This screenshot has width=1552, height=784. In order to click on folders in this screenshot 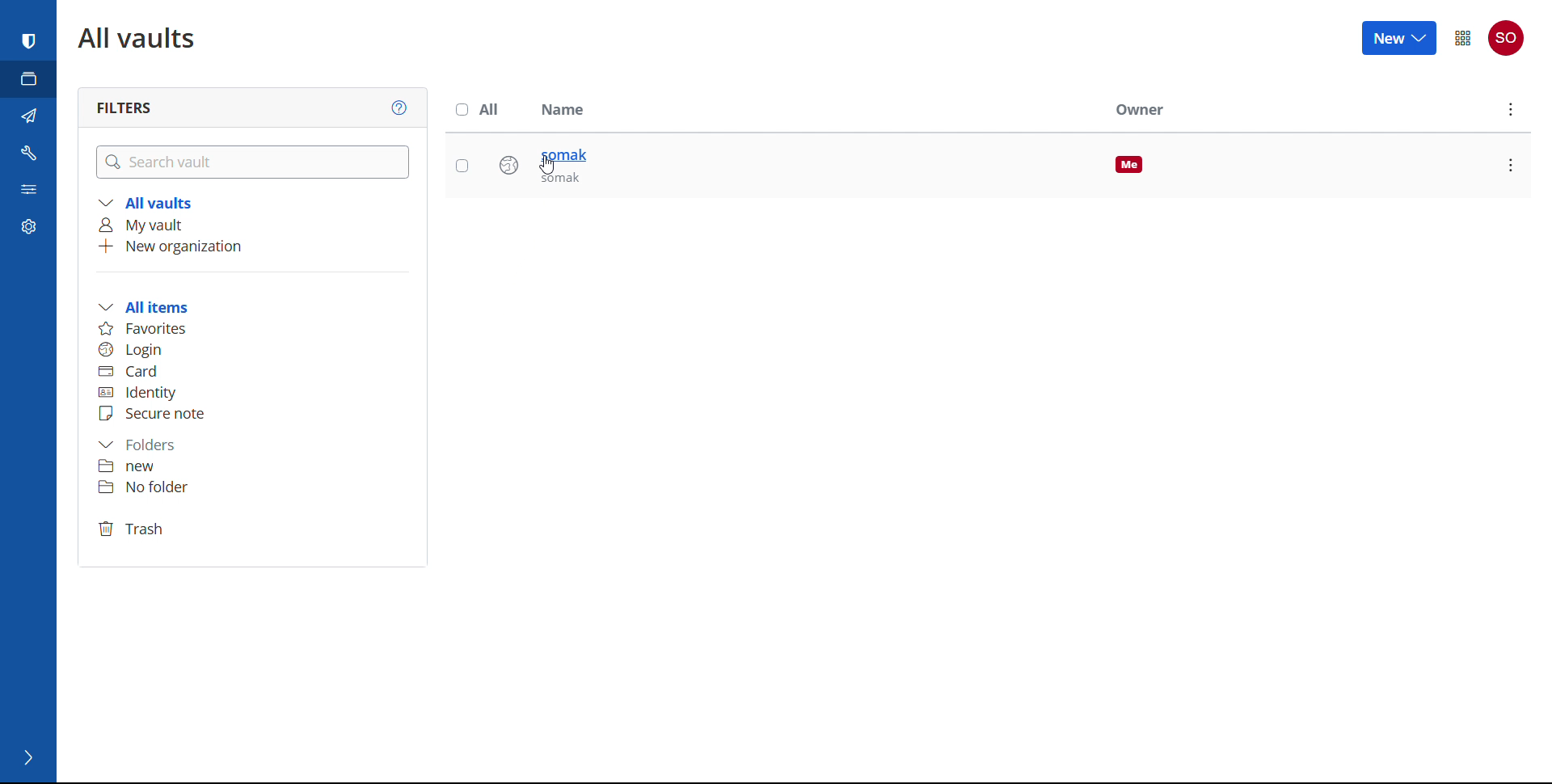, I will do `click(247, 444)`.